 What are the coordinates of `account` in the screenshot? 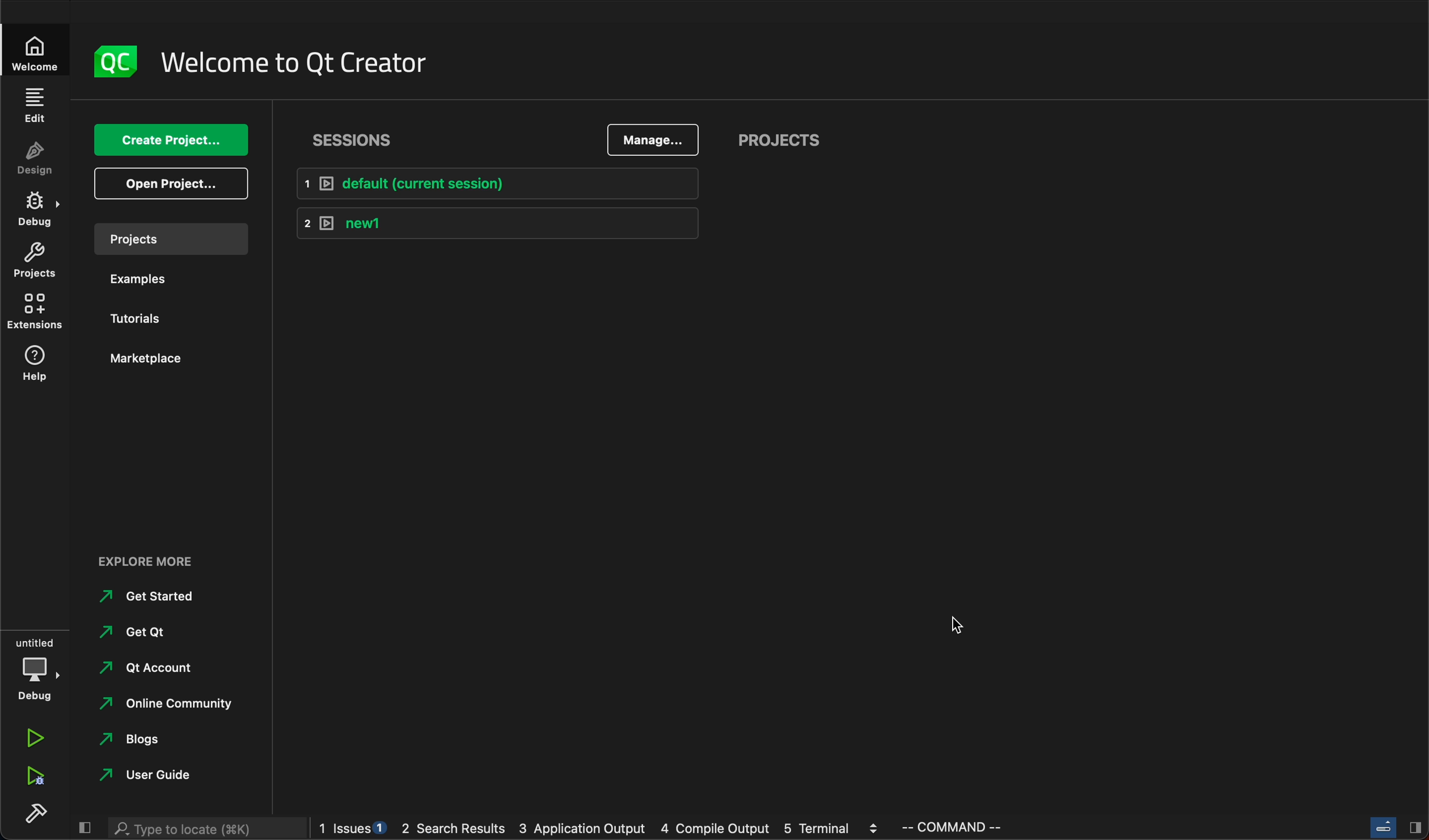 It's located at (156, 668).